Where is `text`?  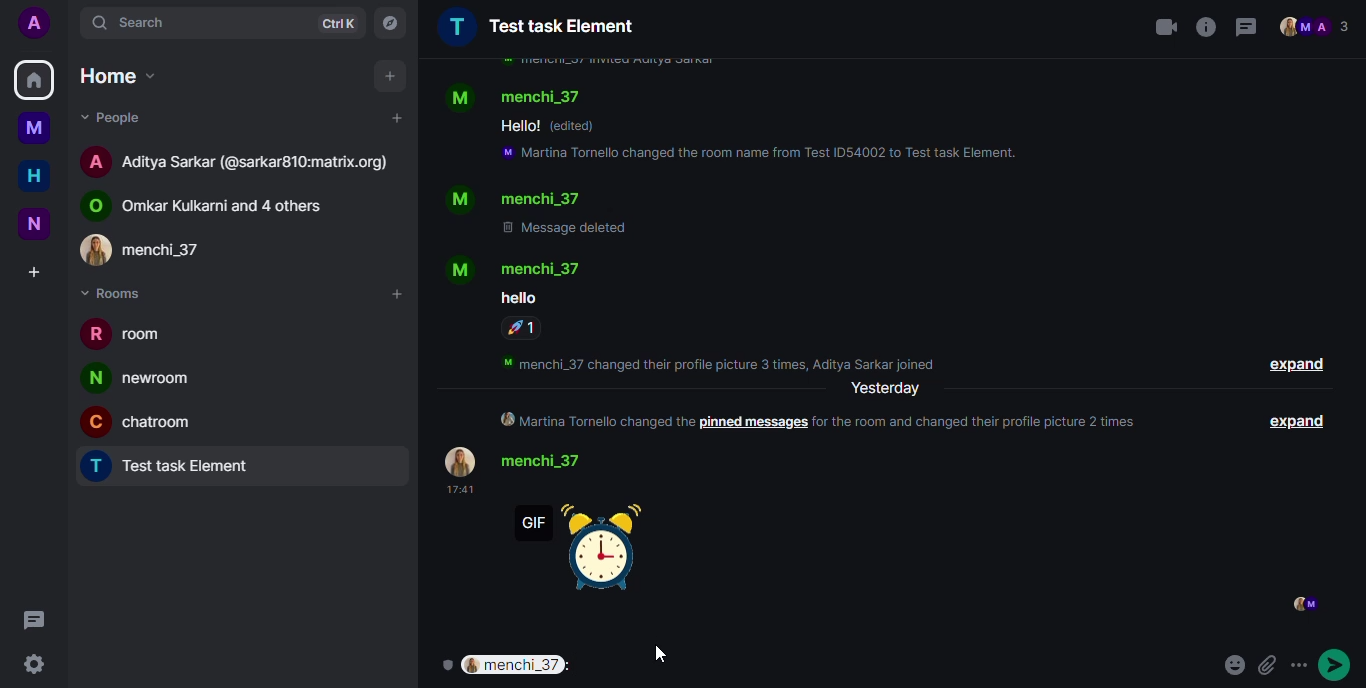 text is located at coordinates (518, 297).